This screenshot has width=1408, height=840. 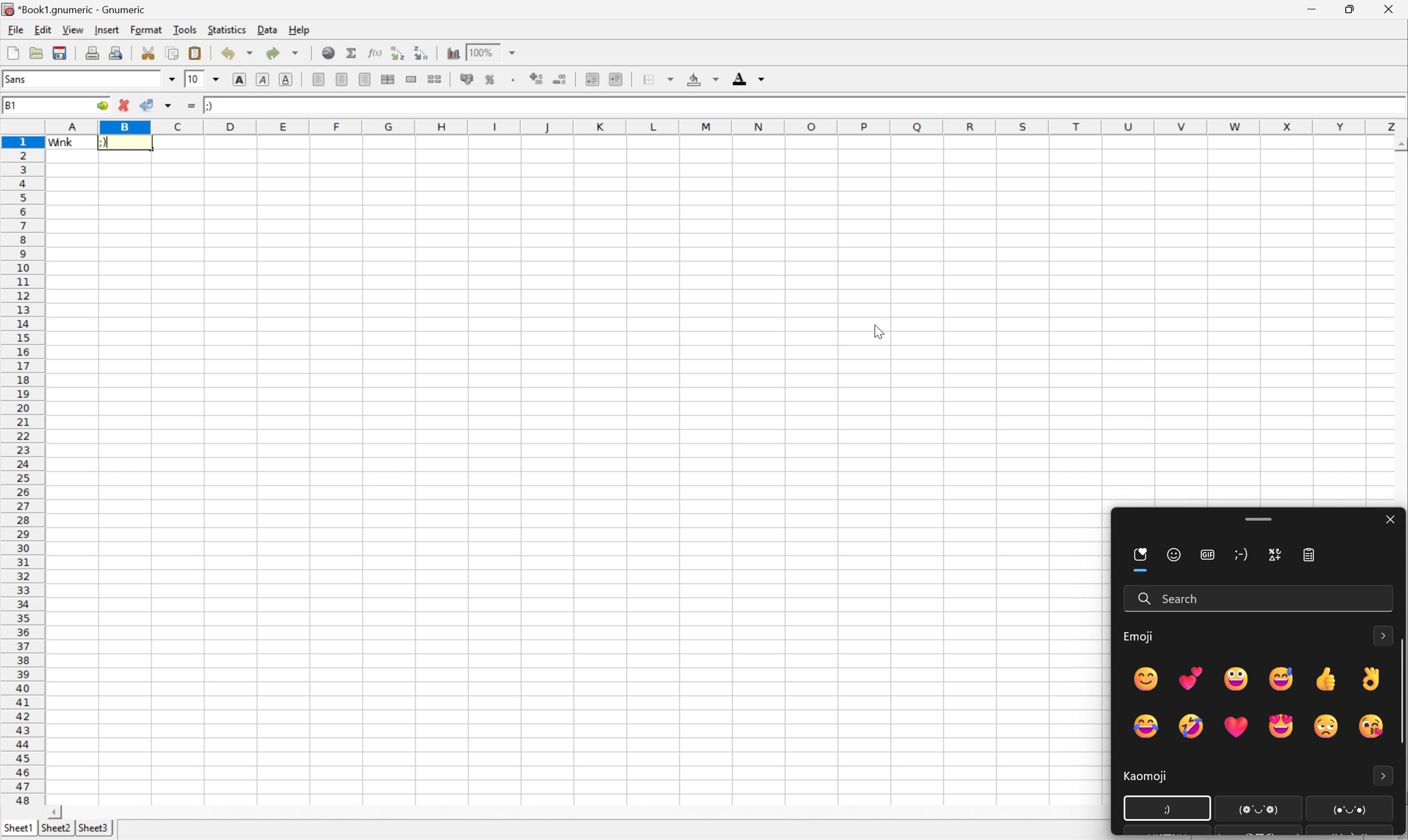 What do you see at coordinates (101, 106) in the screenshot?
I see `go to` at bounding box center [101, 106].